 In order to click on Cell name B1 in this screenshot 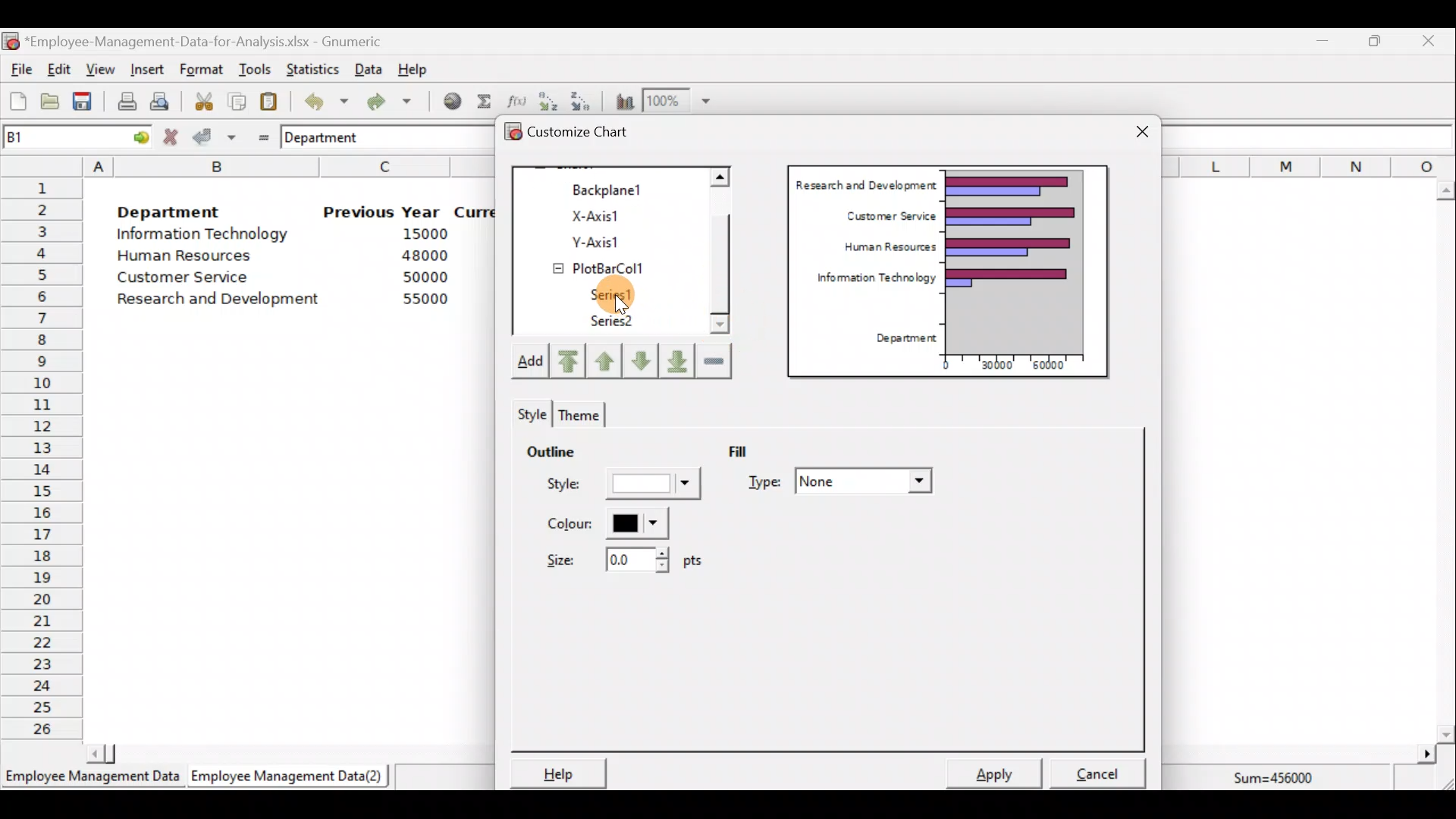, I will do `click(50, 136)`.